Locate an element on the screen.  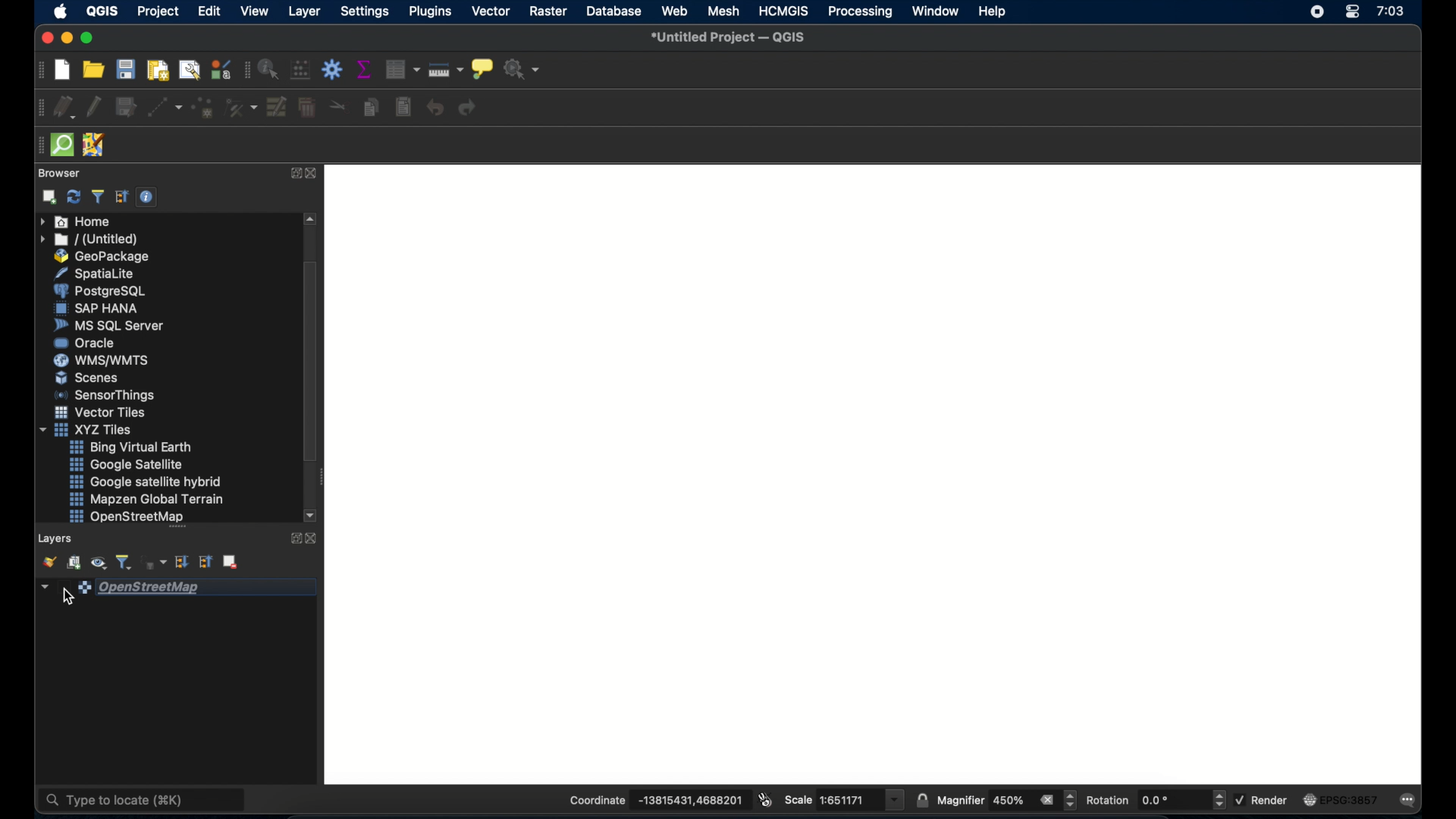
drag handle is located at coordinates (38, 144).